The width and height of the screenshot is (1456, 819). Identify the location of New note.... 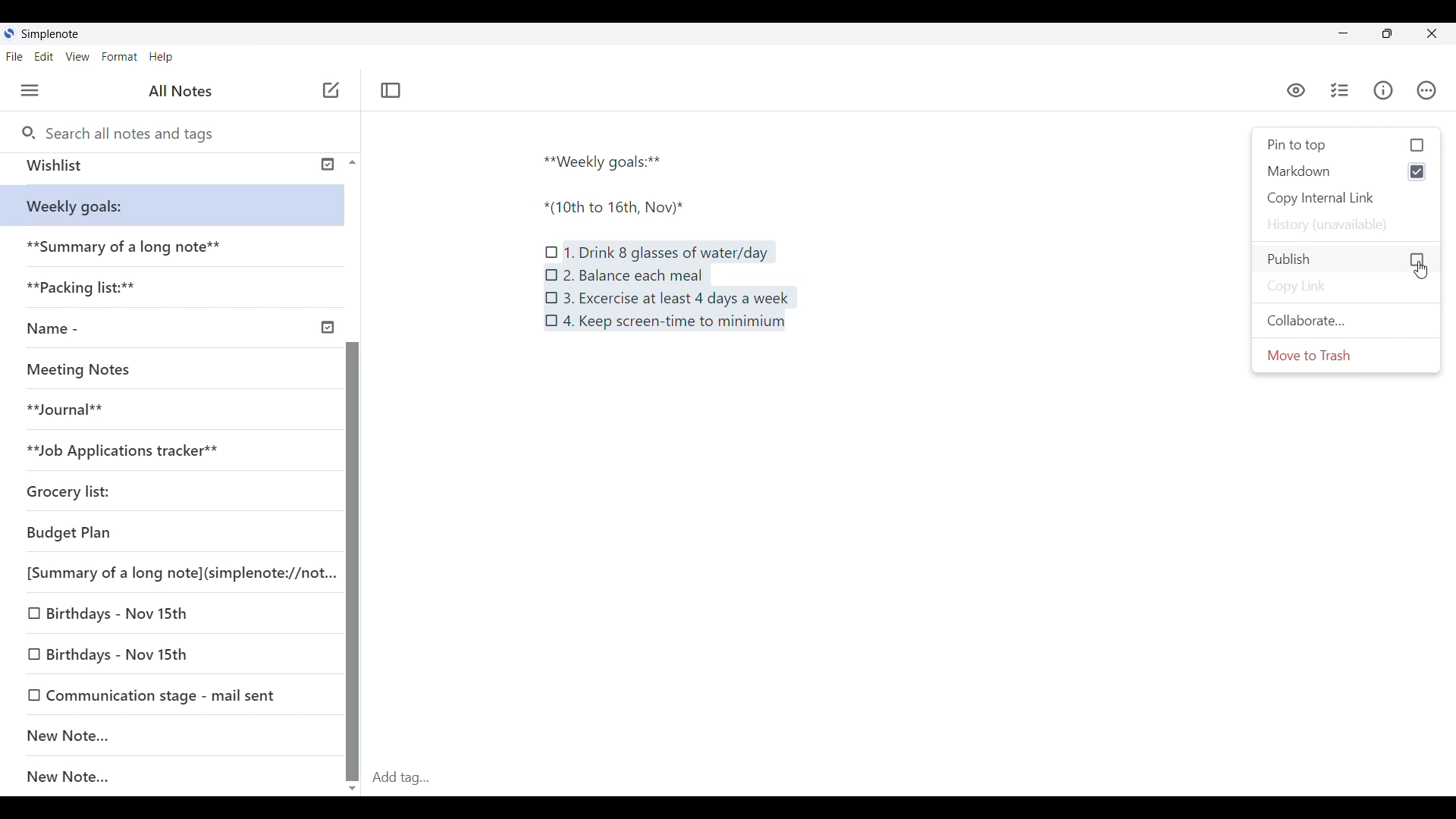
(180, 777).